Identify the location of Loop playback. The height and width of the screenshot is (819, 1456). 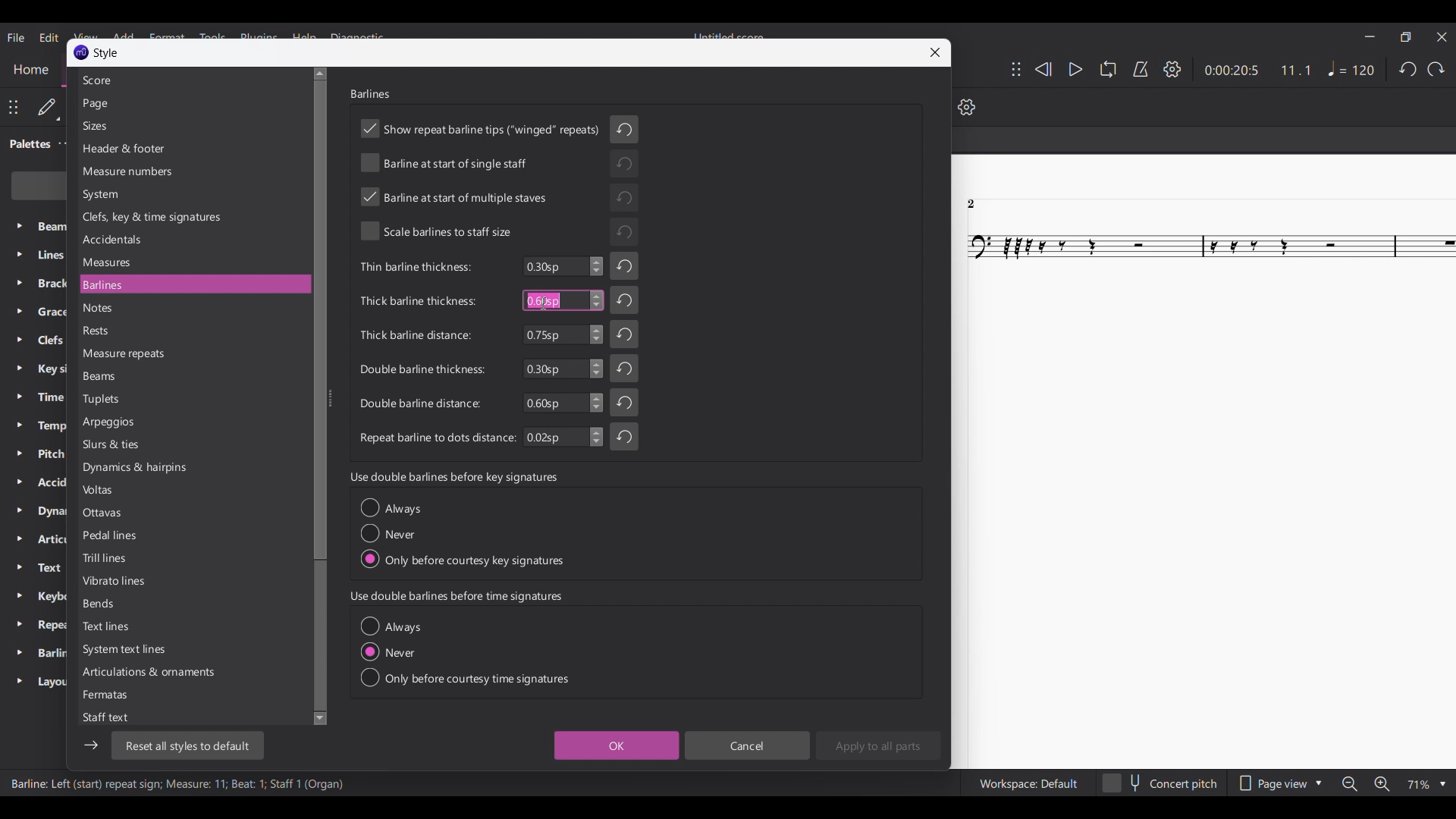
(1108, 69).